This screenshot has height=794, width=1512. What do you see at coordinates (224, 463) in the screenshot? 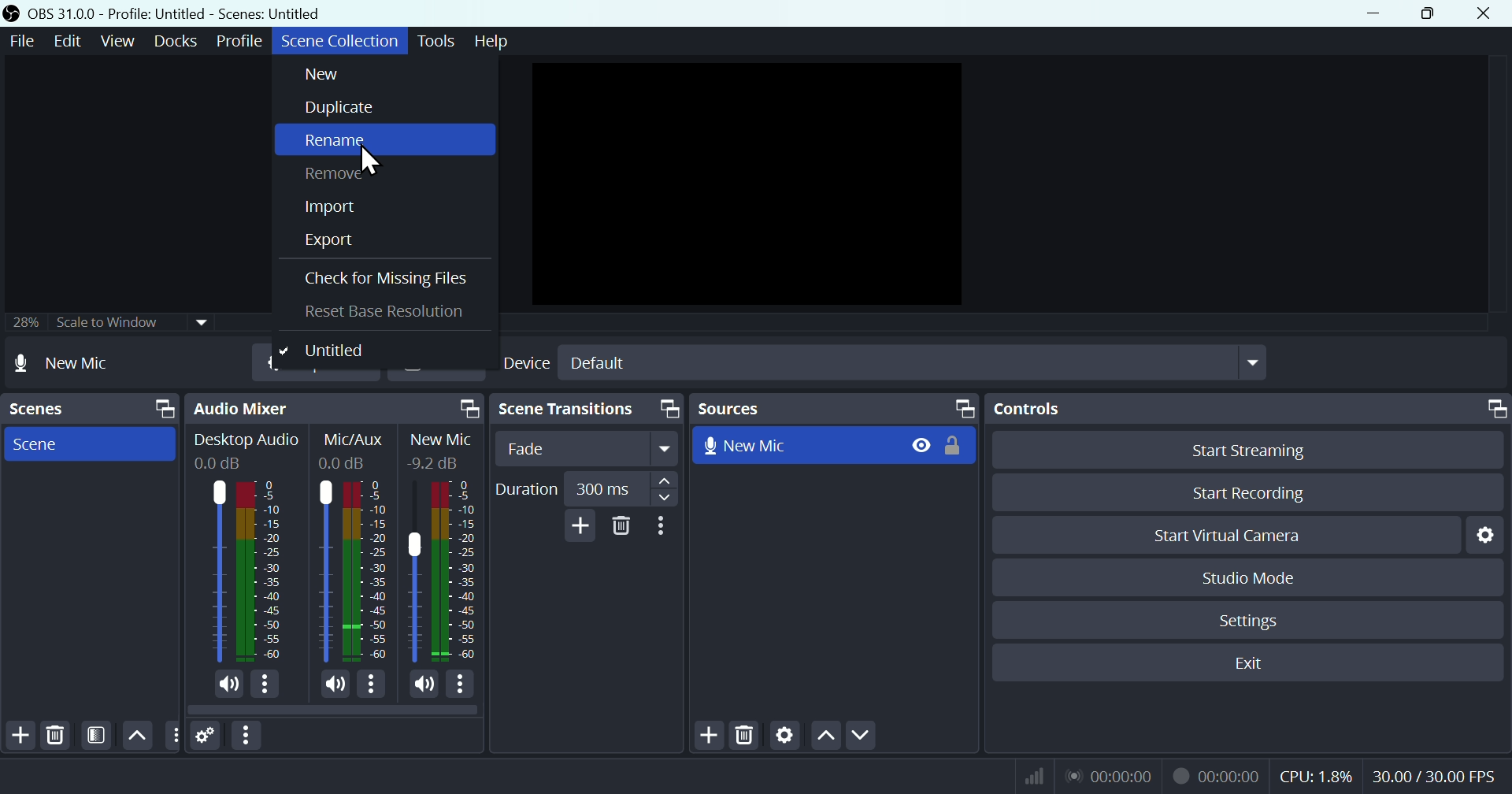
I see `0.0dB` at bounding box center [224, 463].